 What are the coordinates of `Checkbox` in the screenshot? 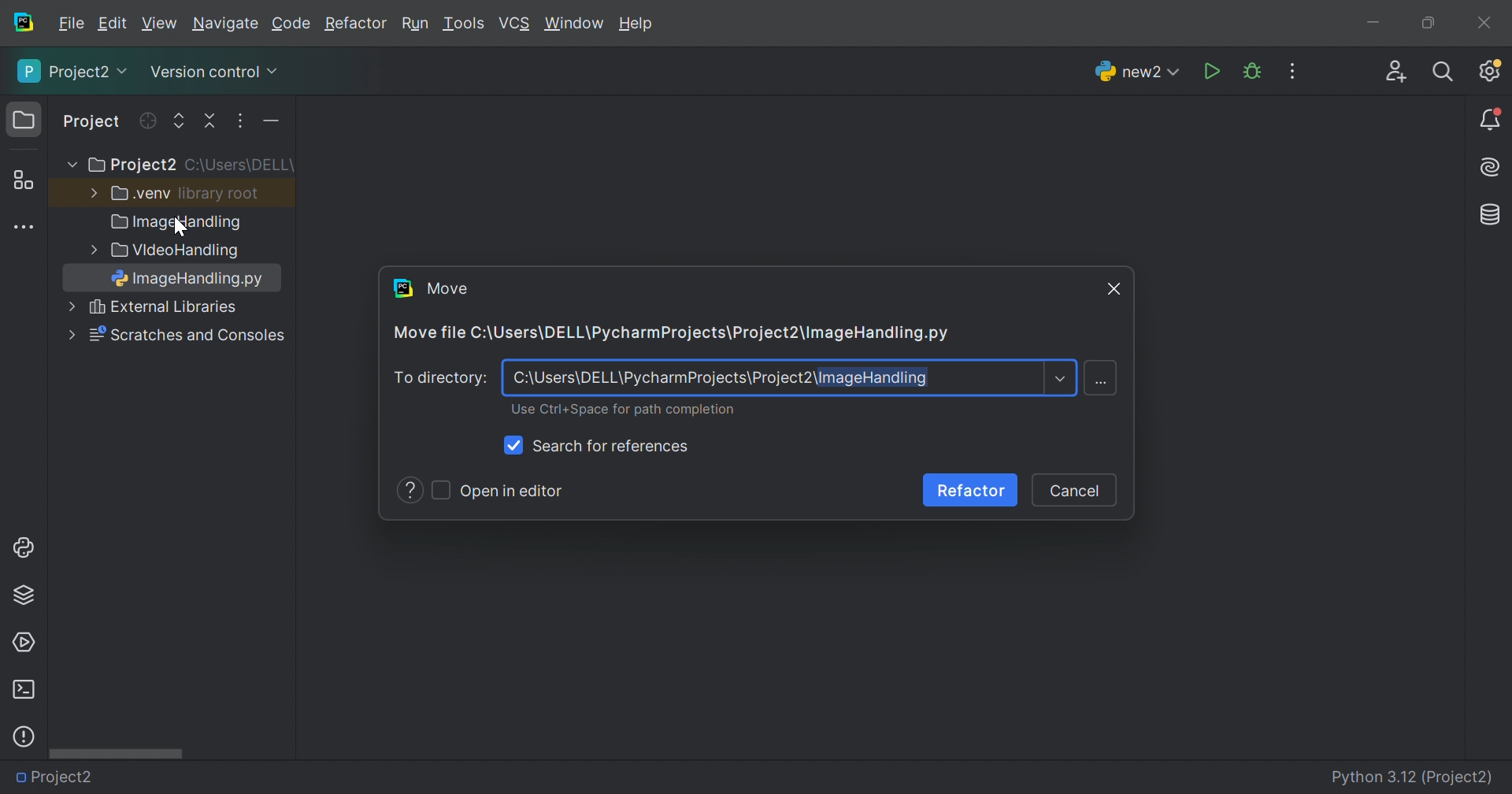 It's located at (516, 446).